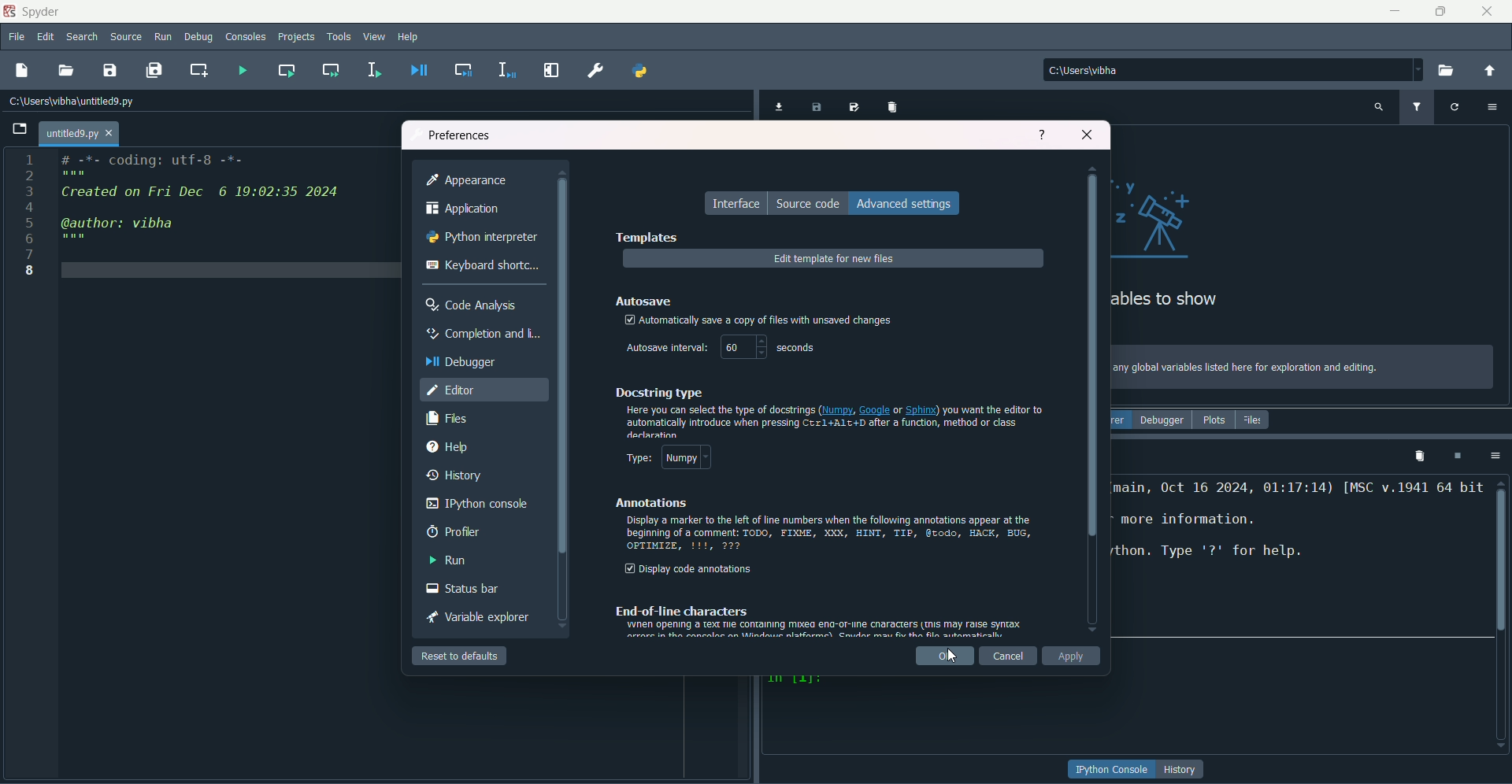 The image size is (1512, 784). Describe the element at coordinates (835, 260) in the screenshot. I see `edit templates` at that location.